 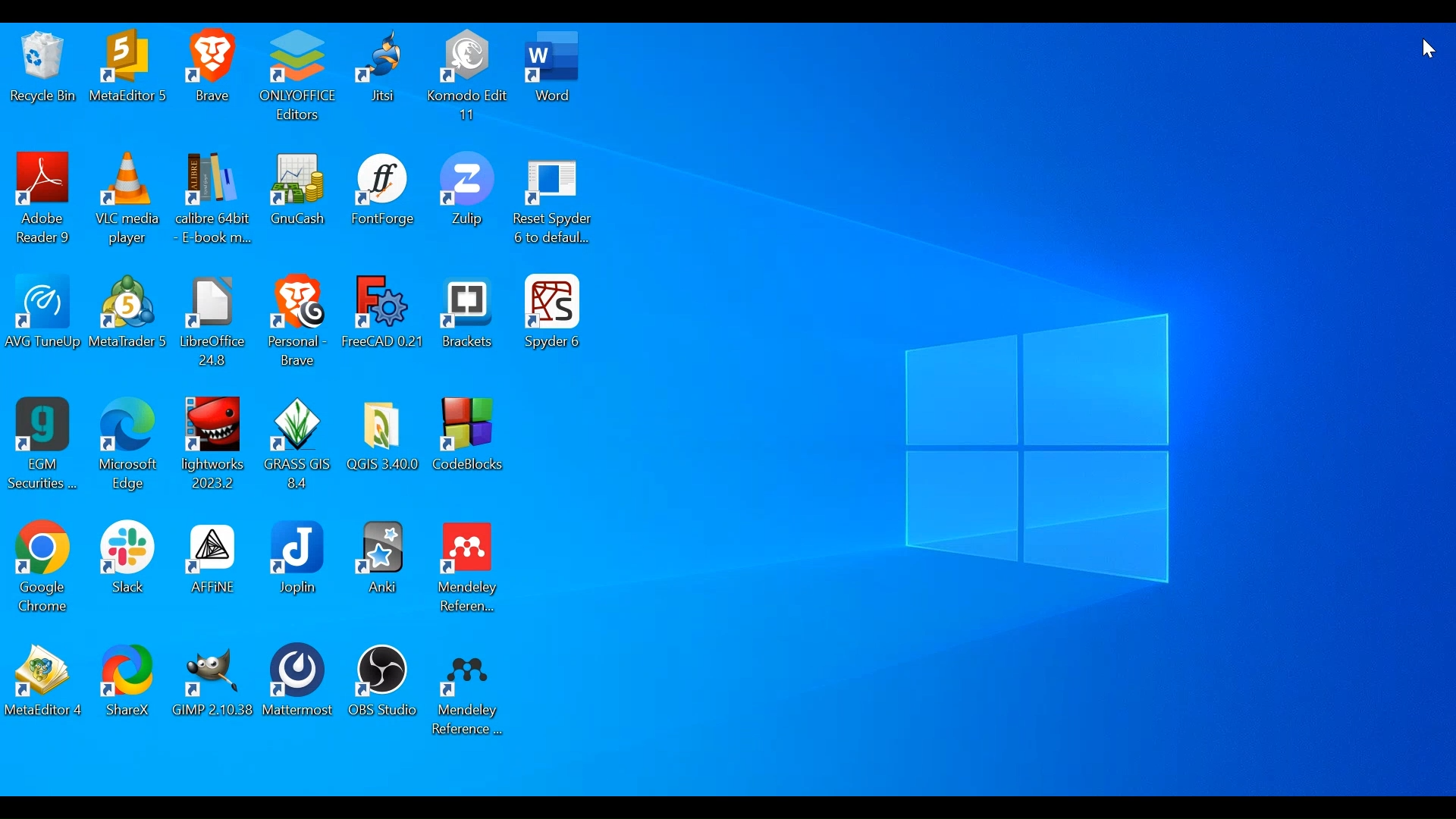 What do you see at coordinates (217, 321) in the screenshot?
I see `Libreoffice 24.8` at bounding box center [217, 321].